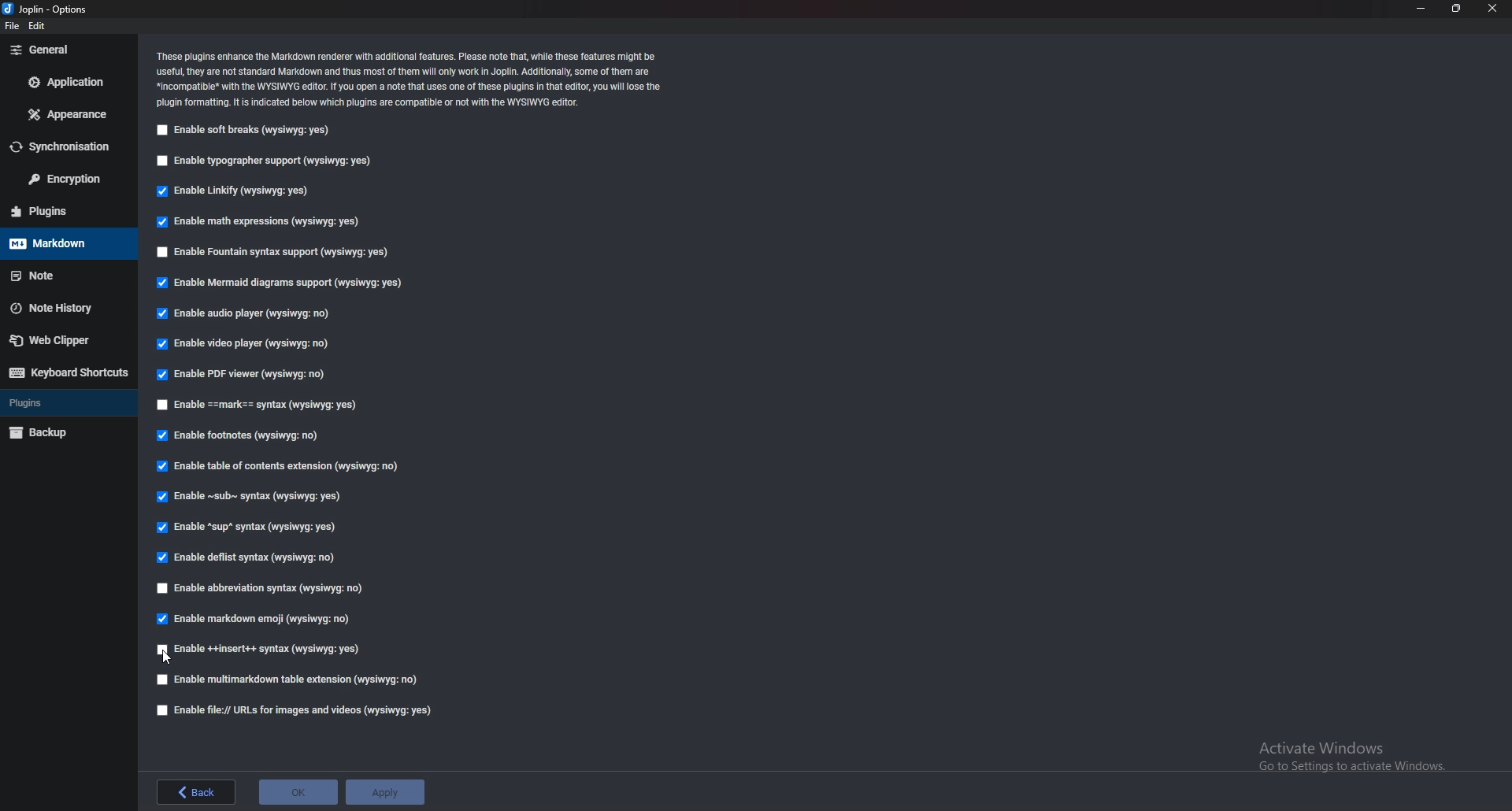 This screenshot has height=811, width=1512. Describe the element at coordinates (299, 791) in the screenshot. I see `ok` at that location.